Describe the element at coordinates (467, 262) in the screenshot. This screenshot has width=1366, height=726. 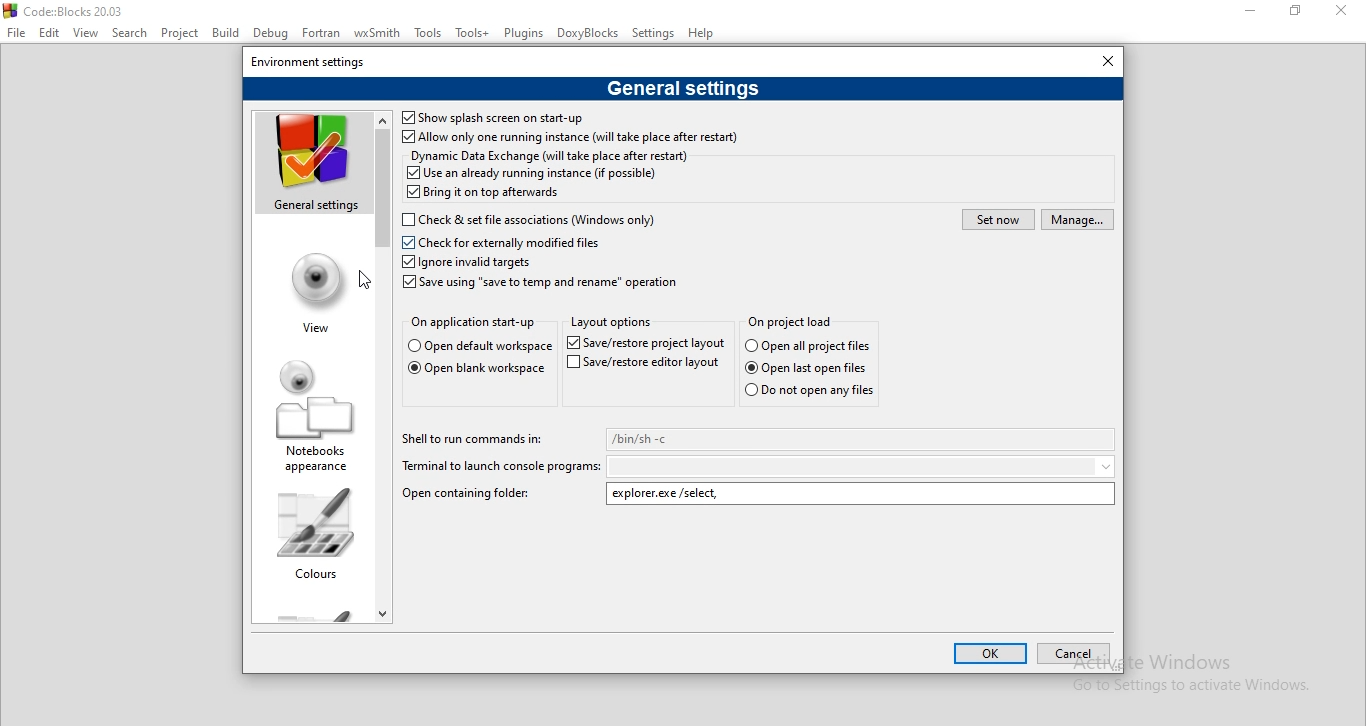
I see `Ignore invalid targets` at that location.